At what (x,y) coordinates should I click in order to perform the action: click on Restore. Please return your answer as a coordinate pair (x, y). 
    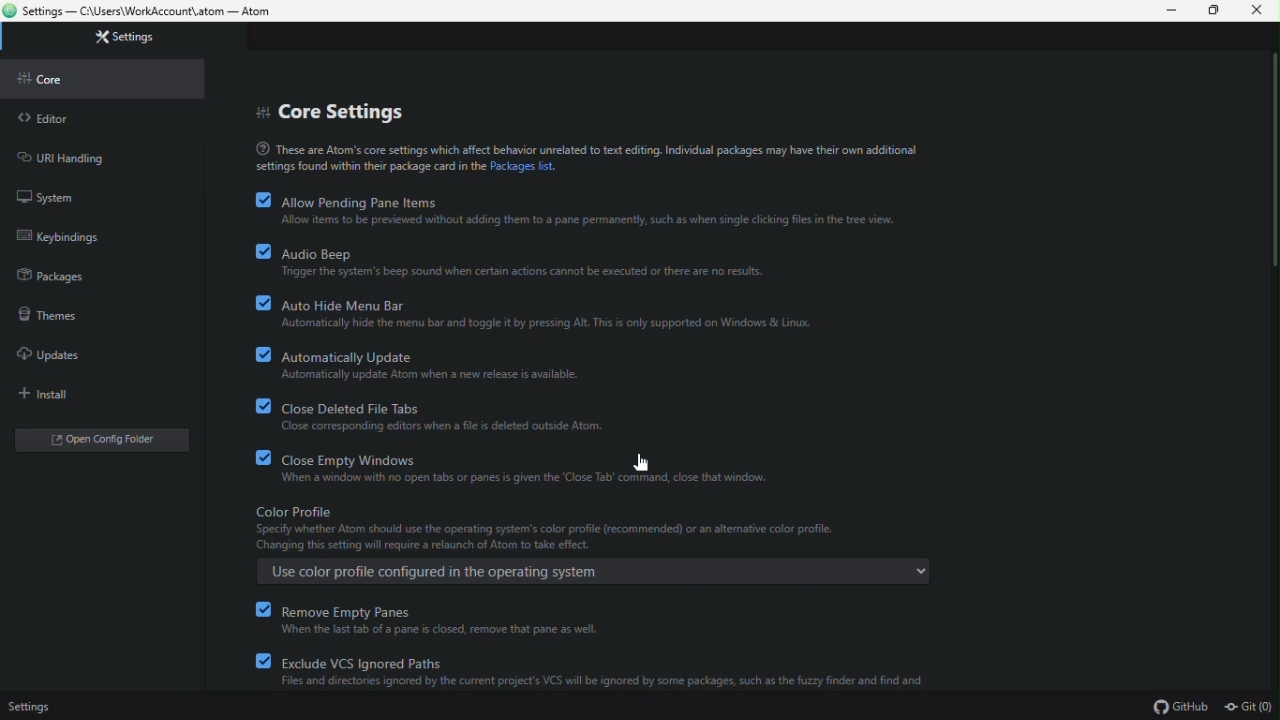
    Looking at the image, I should click on (1217, 11).